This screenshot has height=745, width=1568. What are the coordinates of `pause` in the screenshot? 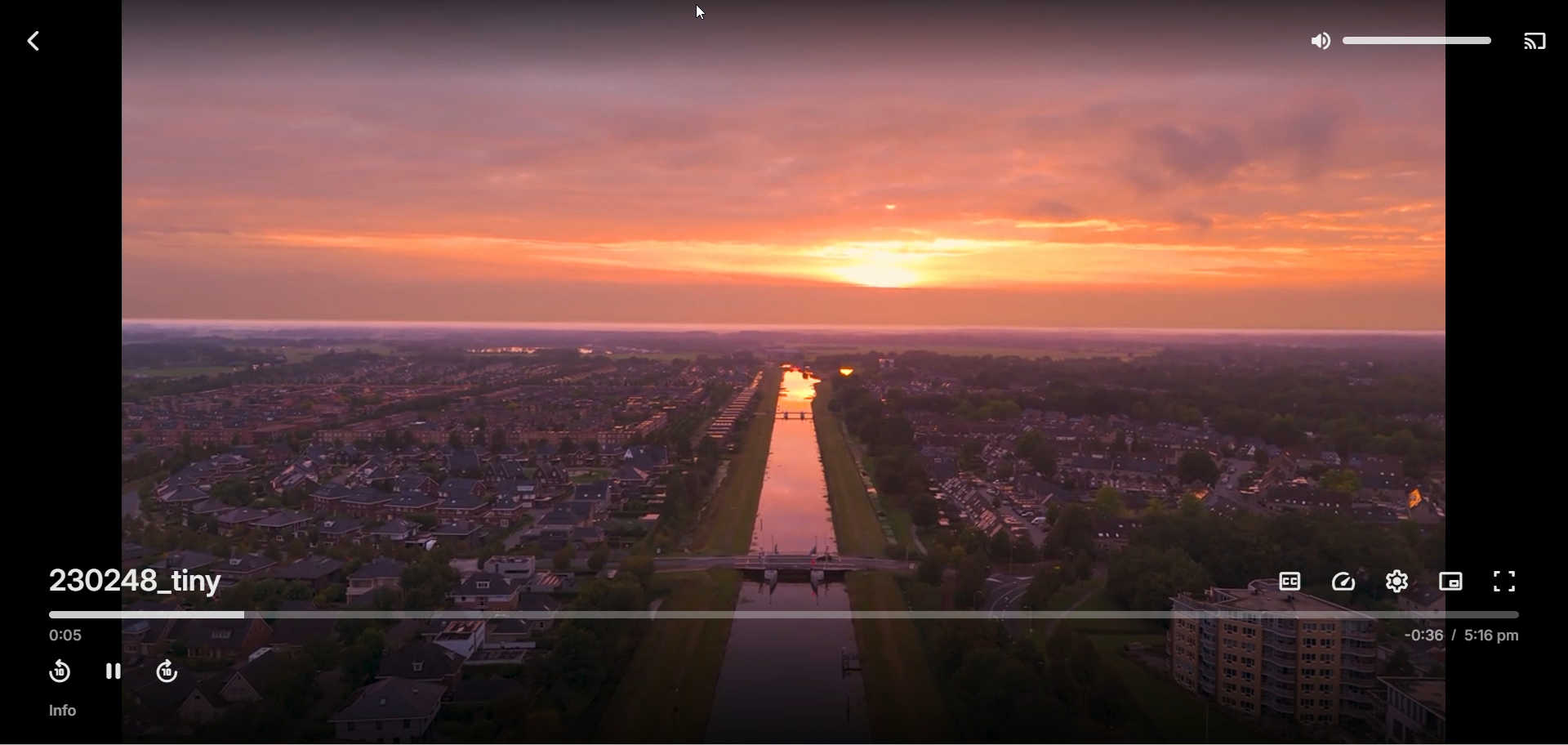 It's located at (114, 671).